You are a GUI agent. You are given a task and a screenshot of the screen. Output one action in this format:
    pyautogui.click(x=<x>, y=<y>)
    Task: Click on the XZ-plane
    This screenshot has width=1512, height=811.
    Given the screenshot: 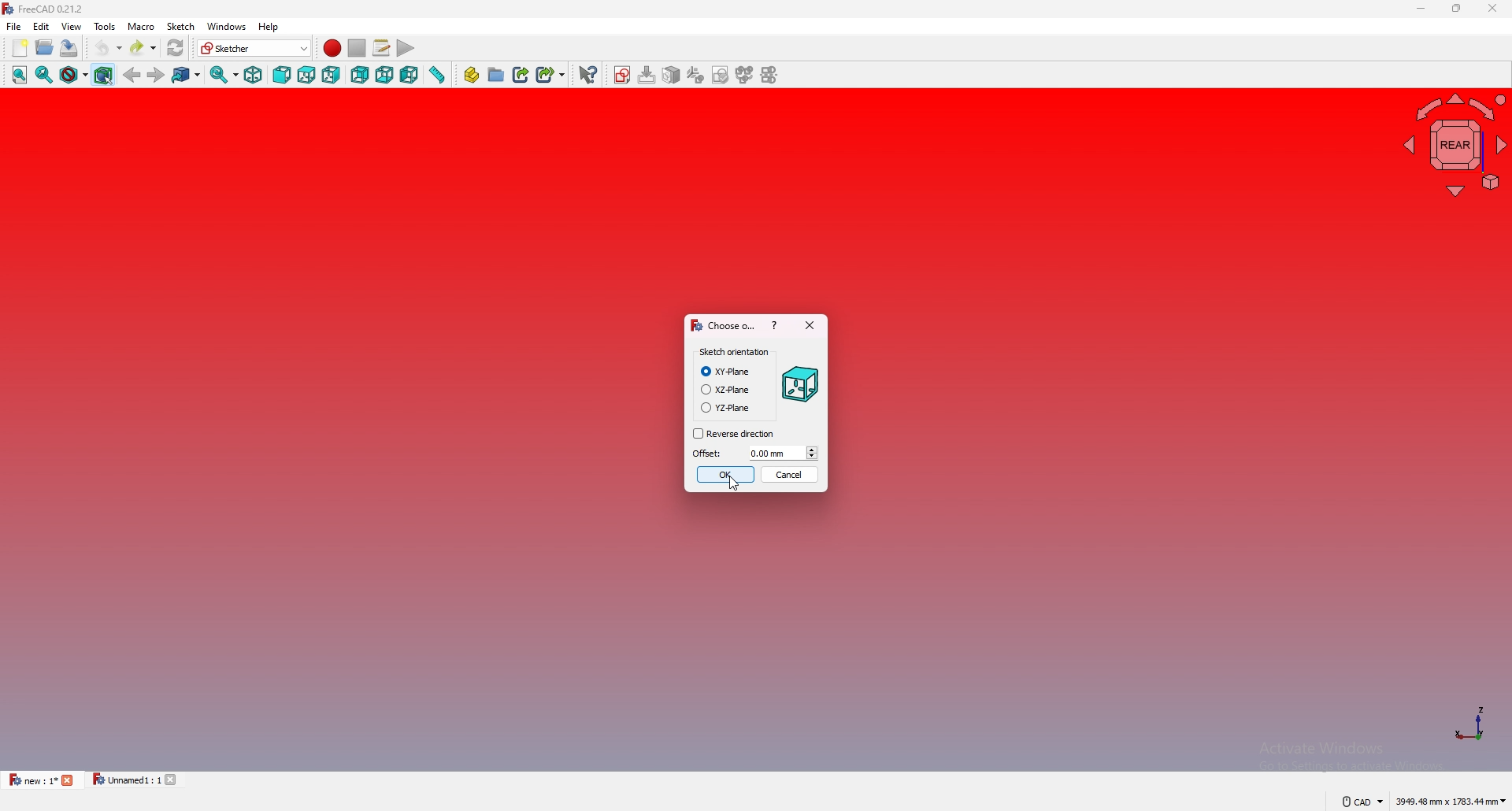 What is the action you would take?
    pyautogui.click(x=725, y=390)
    